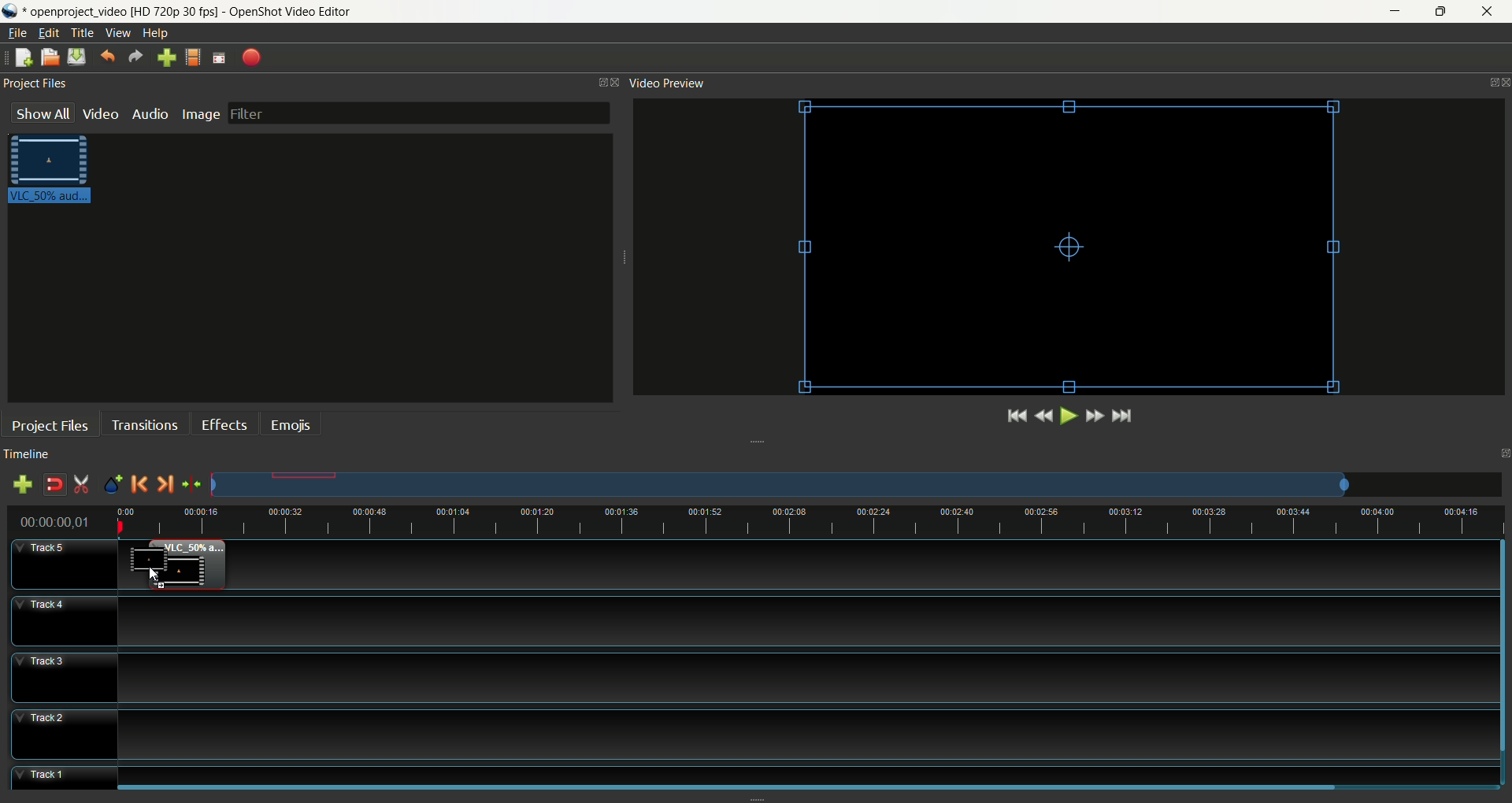 This screenshot has width=1512, height=803. What do you see at coordinates (1069, 417) in the screenshot?
I see `play` at bounding box center [1069, 417].